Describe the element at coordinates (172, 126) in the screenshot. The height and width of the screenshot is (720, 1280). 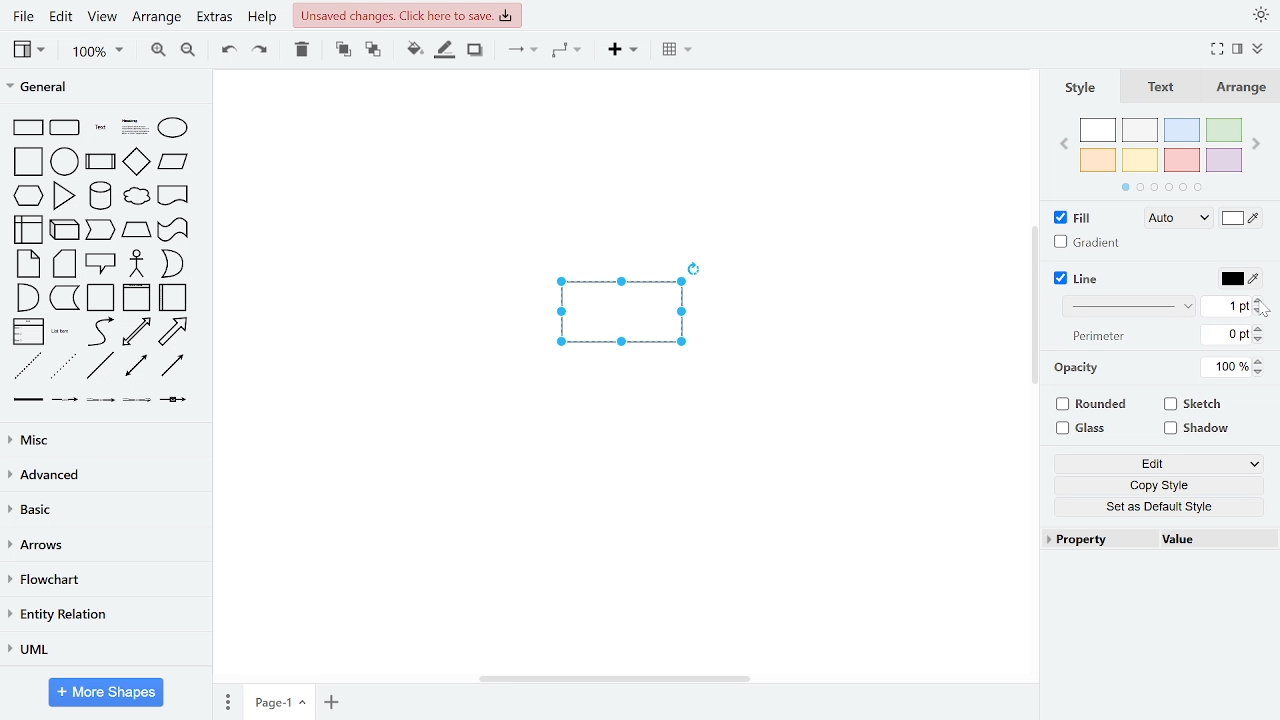
I see `general shapes` at that location.